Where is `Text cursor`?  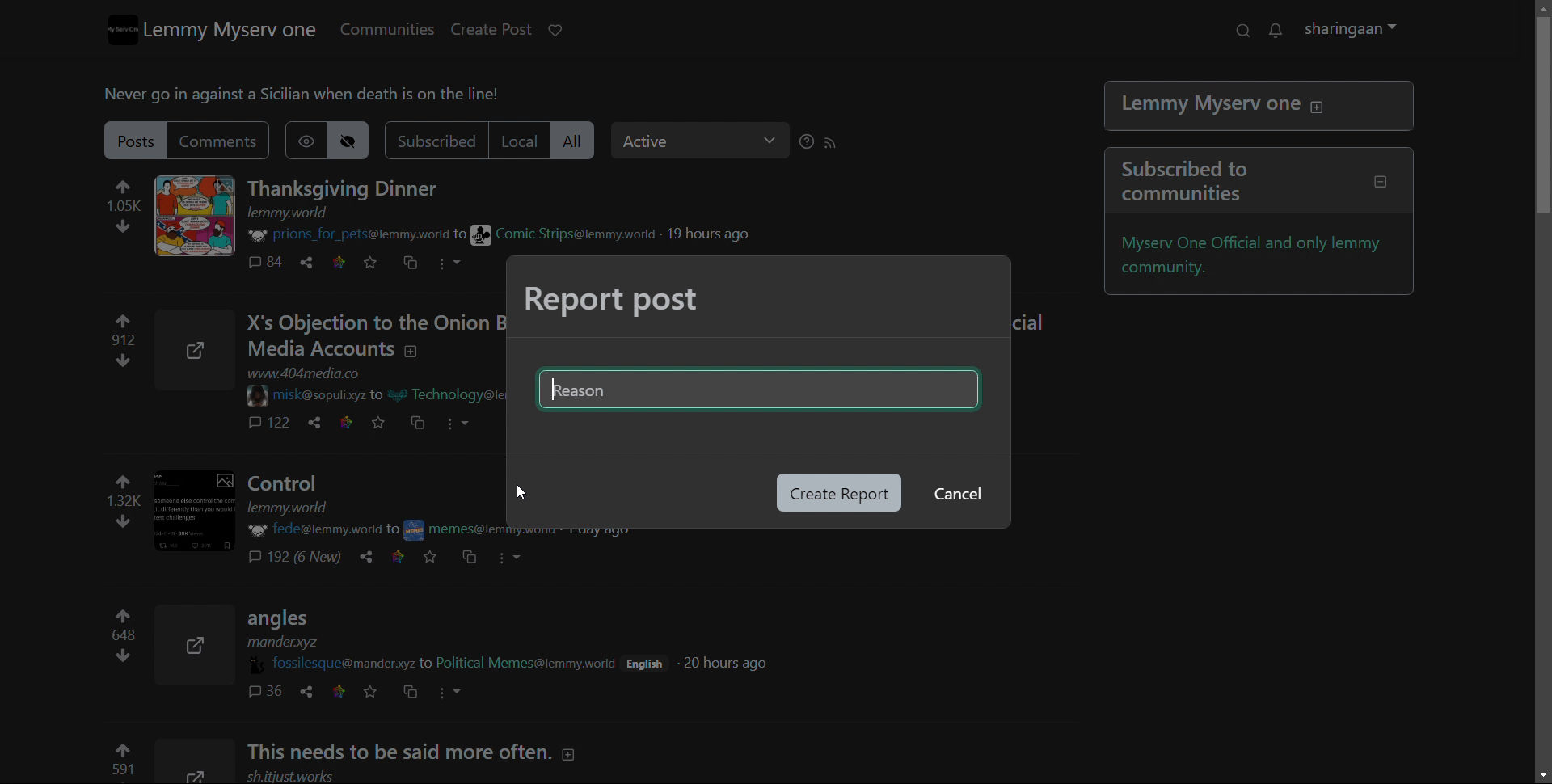 Text cursor is located at coordinates (557, 400).